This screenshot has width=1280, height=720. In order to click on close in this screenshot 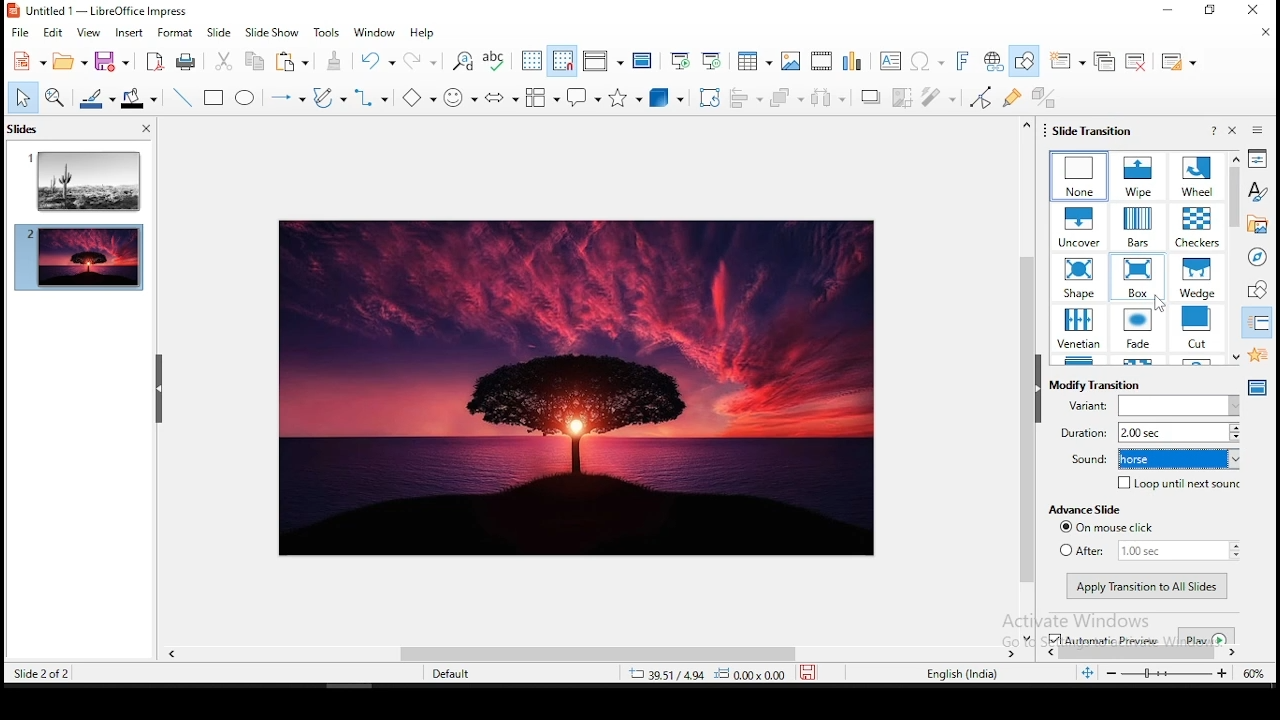, I will do `click(1263, 32)`.